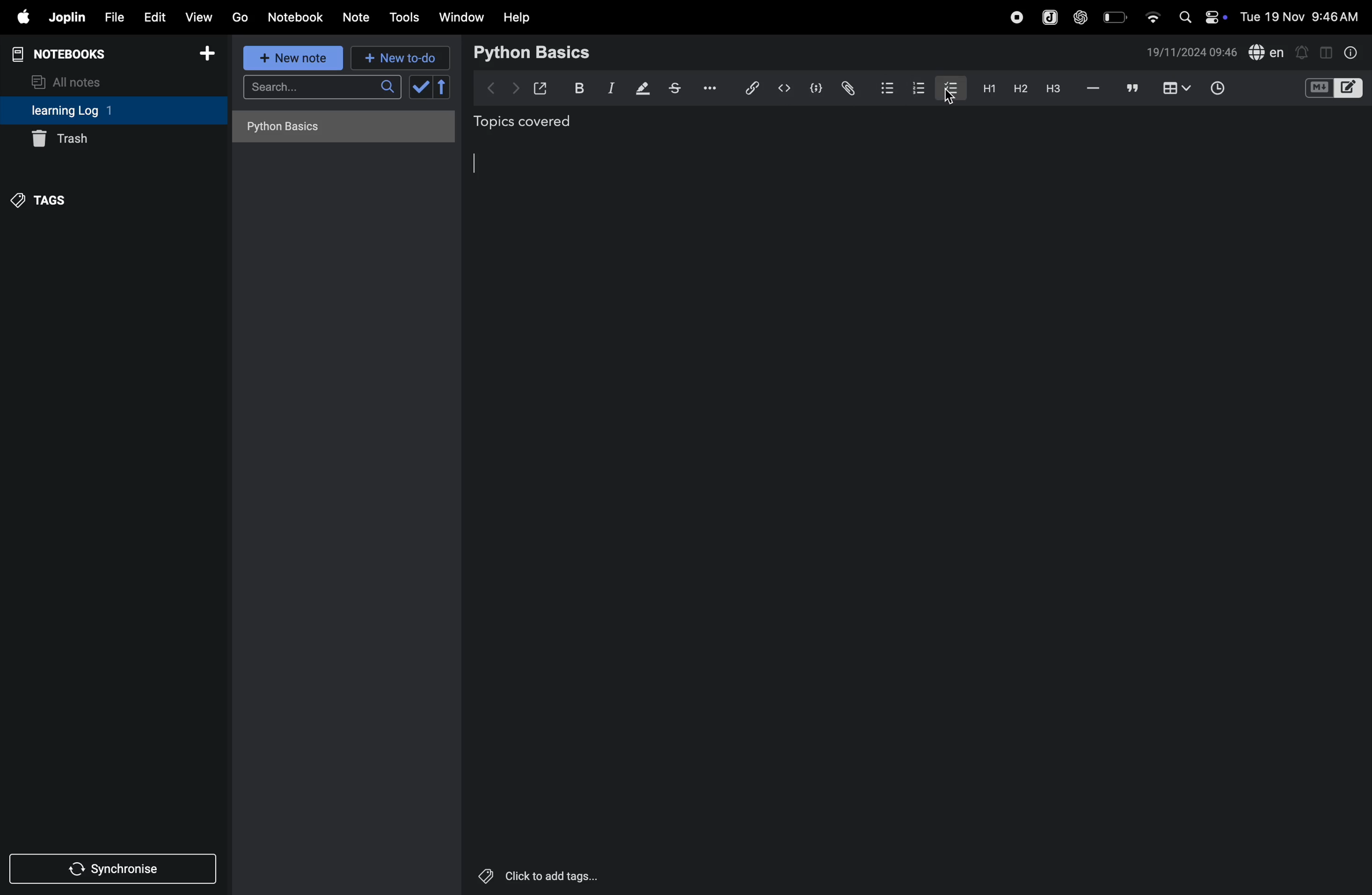  What do you see at coordinates (536, 123) in the screenshot?
I see `topics covered` at bounding box center [536, 123].